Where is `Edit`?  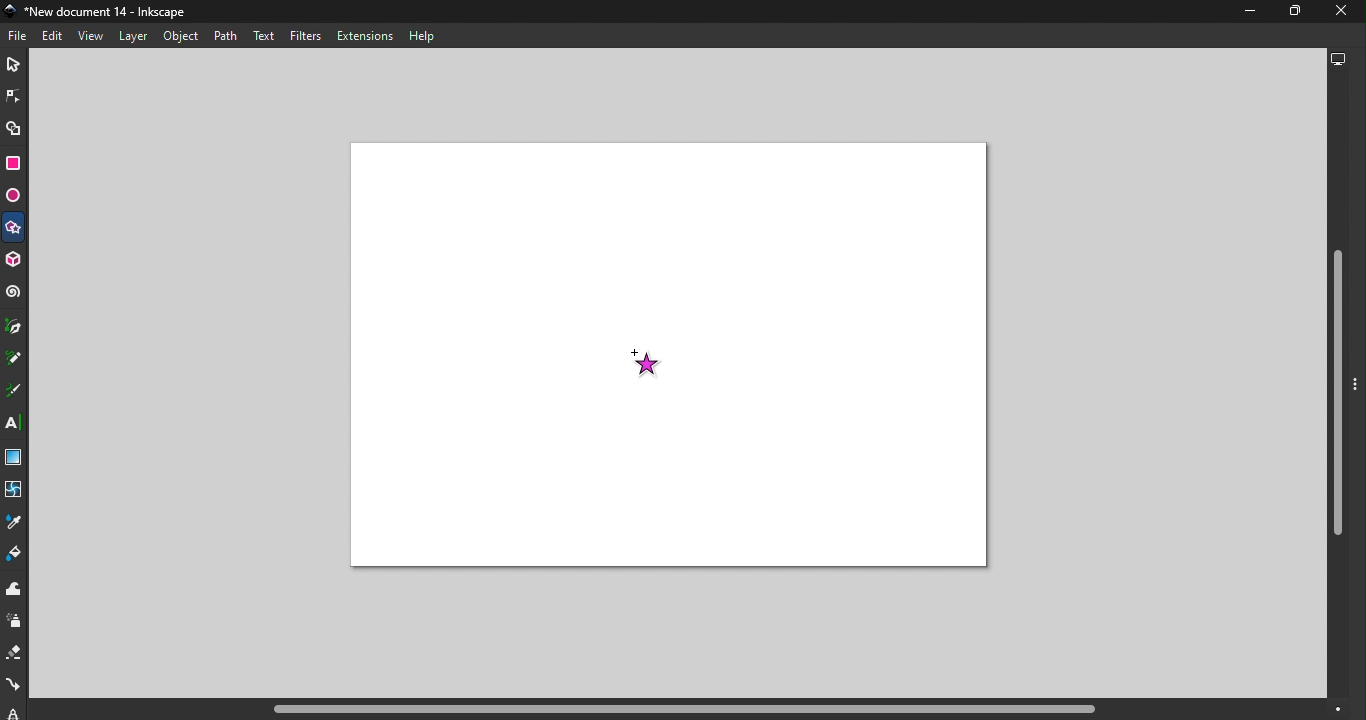 Edit is located at coordinates (55, 36).